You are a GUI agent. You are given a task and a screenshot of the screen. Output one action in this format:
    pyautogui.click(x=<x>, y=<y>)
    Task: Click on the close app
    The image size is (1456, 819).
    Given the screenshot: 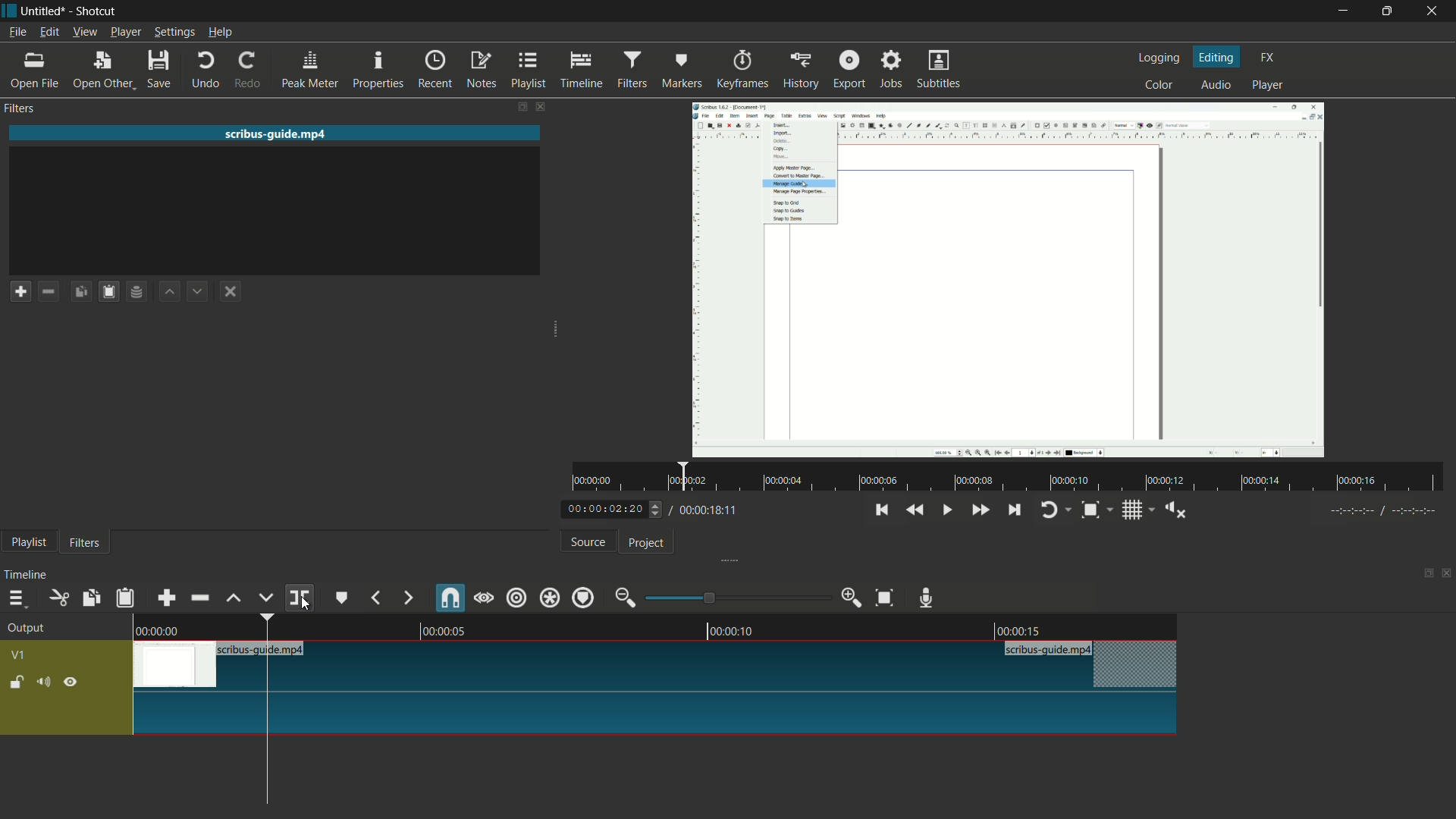 What is the action you would take?
    pyautogui.click(x=1436, y=11)
    